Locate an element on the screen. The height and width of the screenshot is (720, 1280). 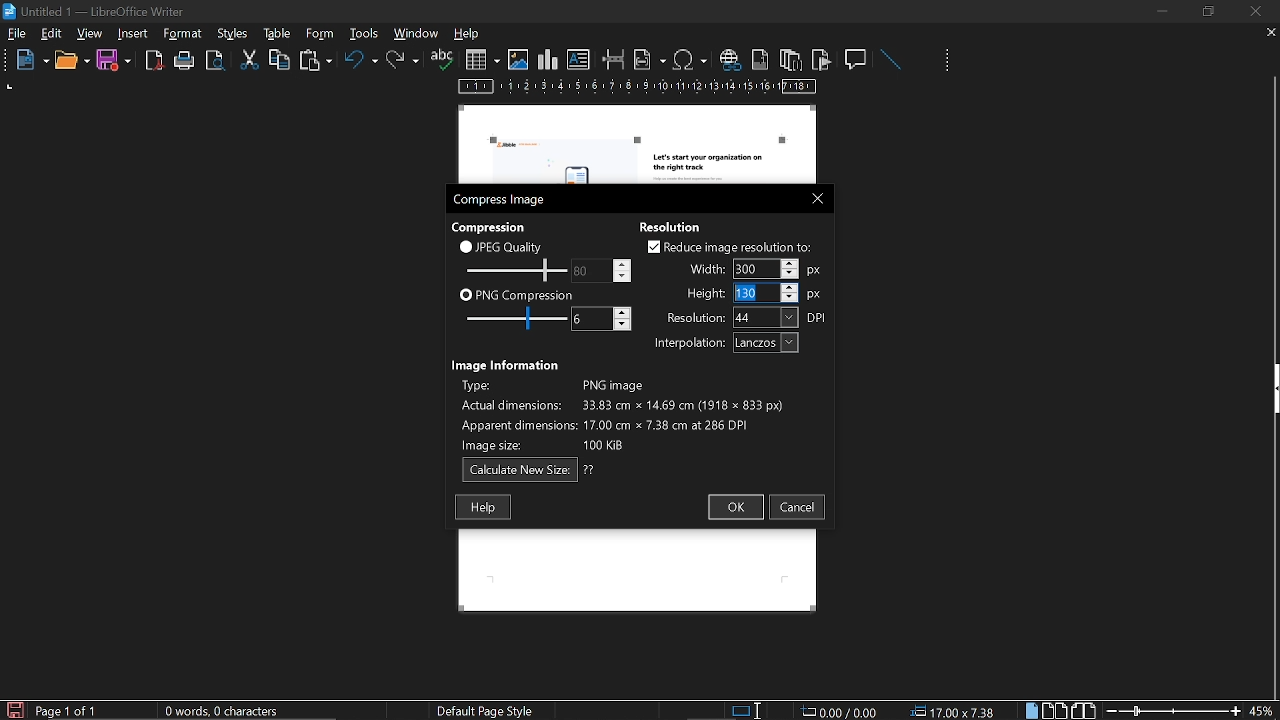
new is located at coordinates (27, 61).